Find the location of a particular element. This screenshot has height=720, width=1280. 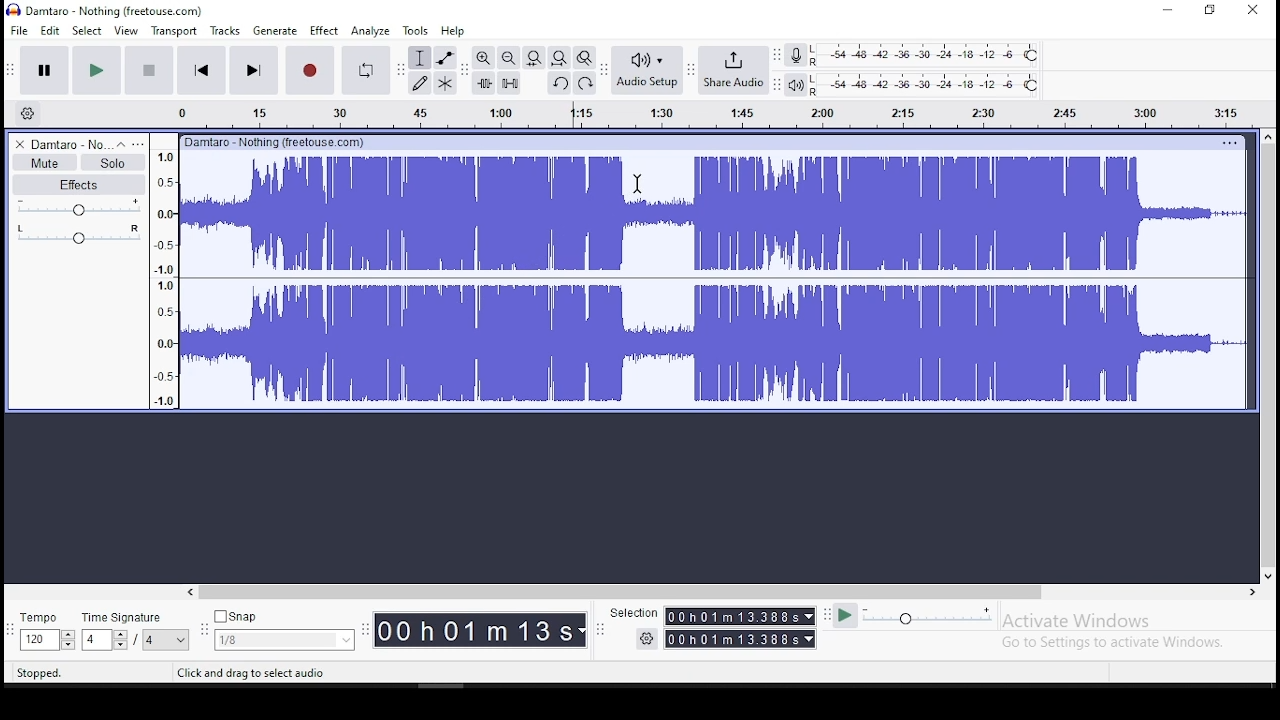

analyze is located at coordinates (372, 32).